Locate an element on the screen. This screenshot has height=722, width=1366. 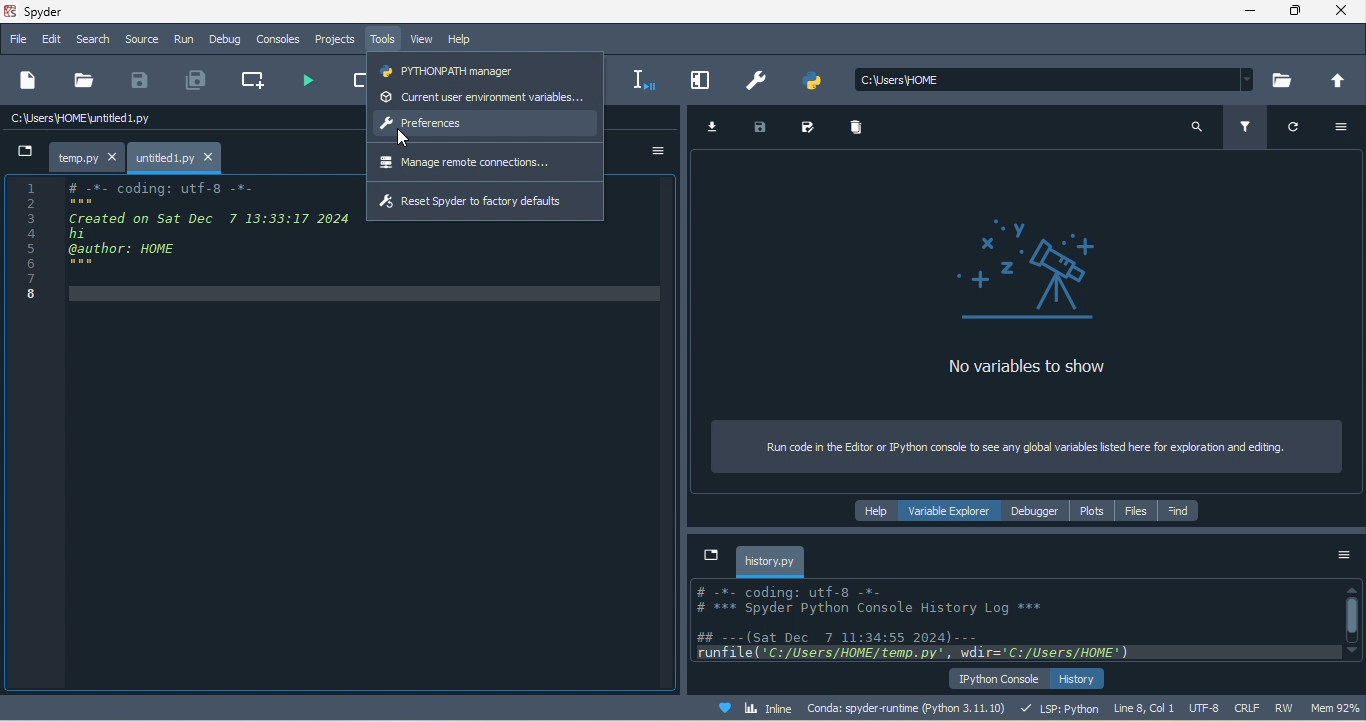
help is located at coordinates (878, 511).